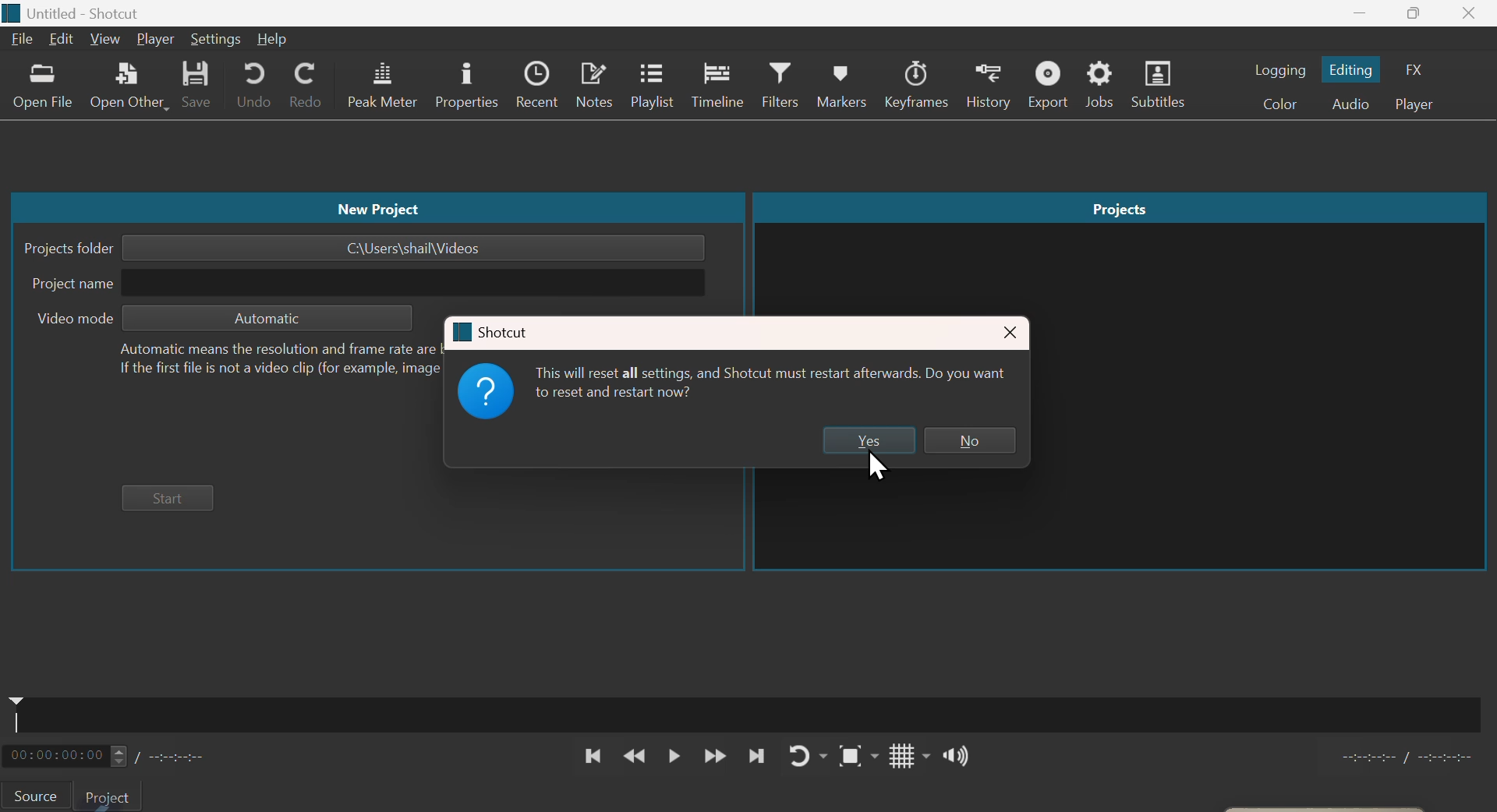  I want to click on Jobs, so click(1103, 86).